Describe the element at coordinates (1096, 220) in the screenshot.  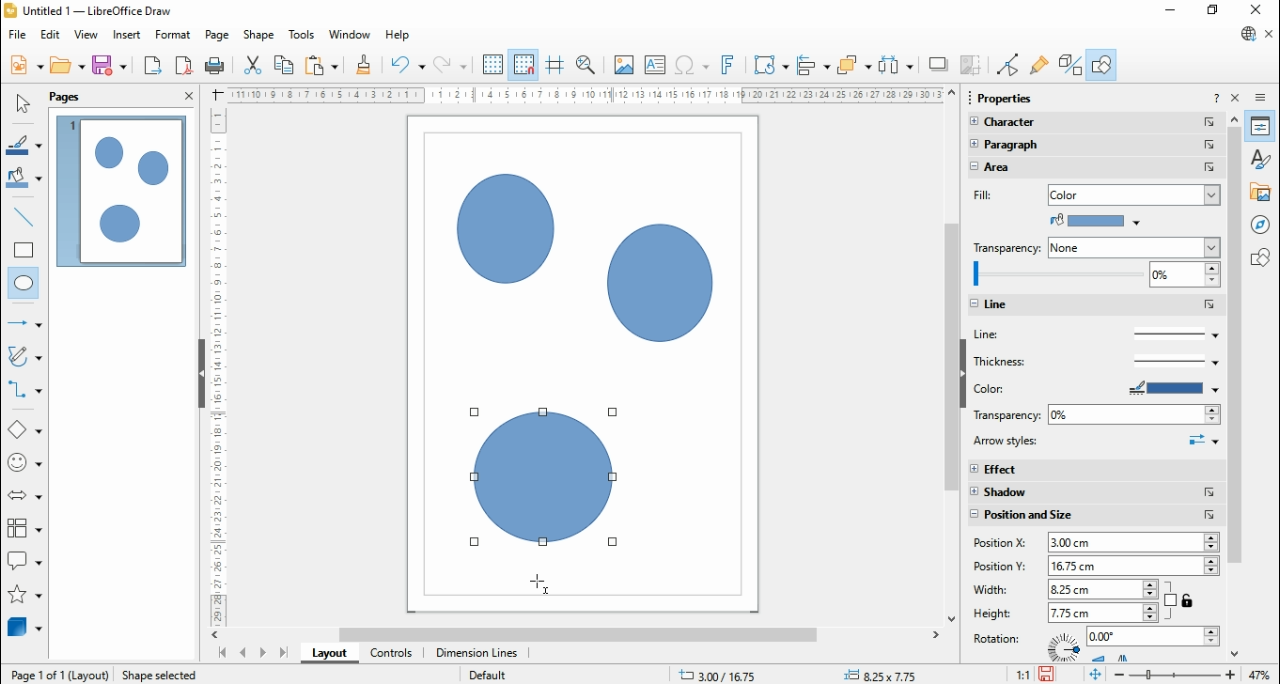
I see `paint bucket color` at that location.